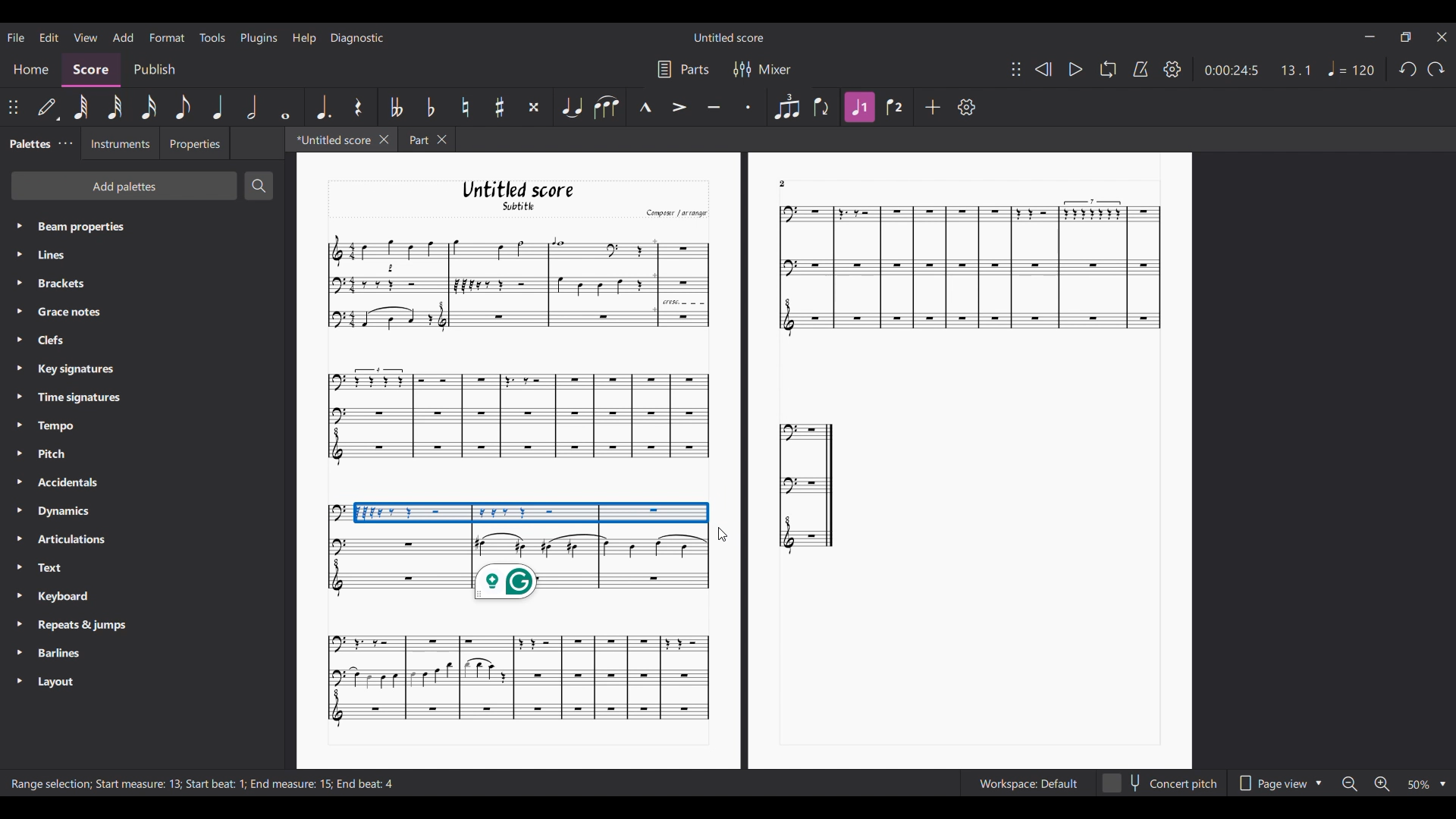 This screenshot has height=819, width=1456. Describe the element at coordinates (72, 226) in the screenshot. I see `> Beam properties` at that location.